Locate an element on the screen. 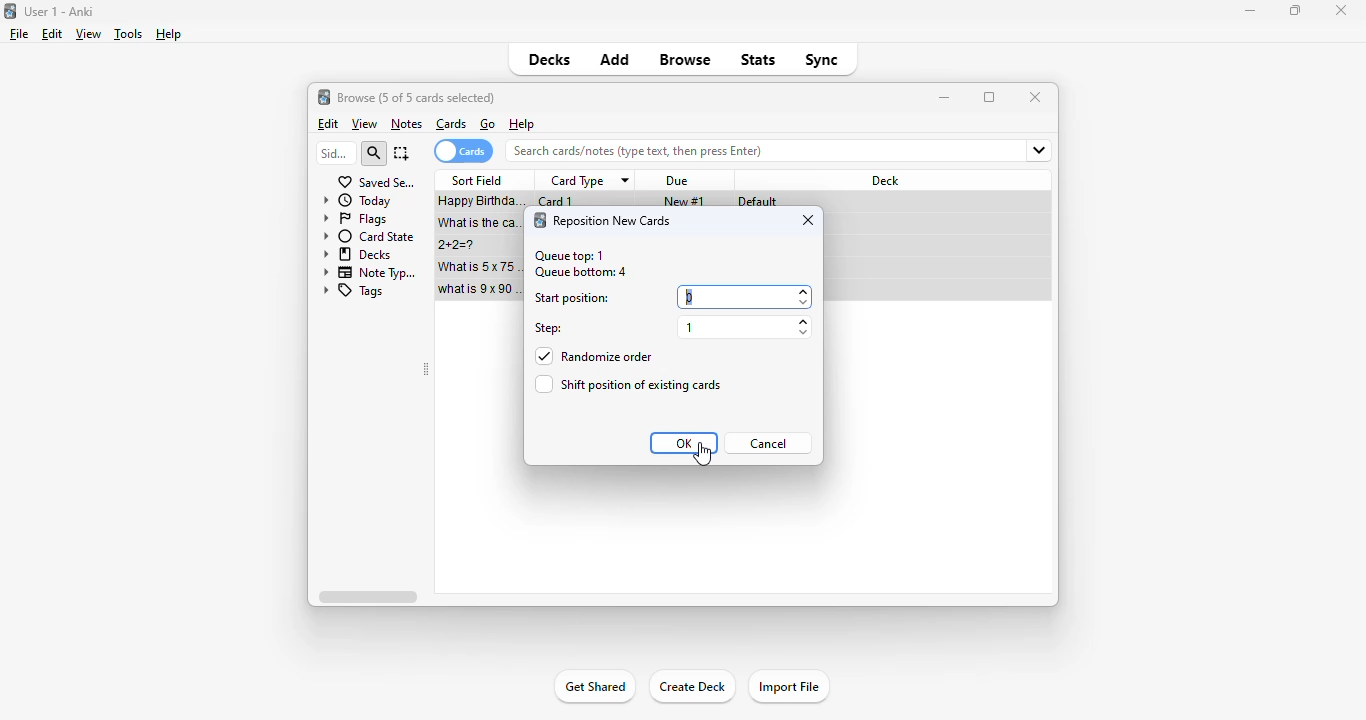 The width and height of the screenshot is (1366, 720). file is located at coordinates (19, 34).